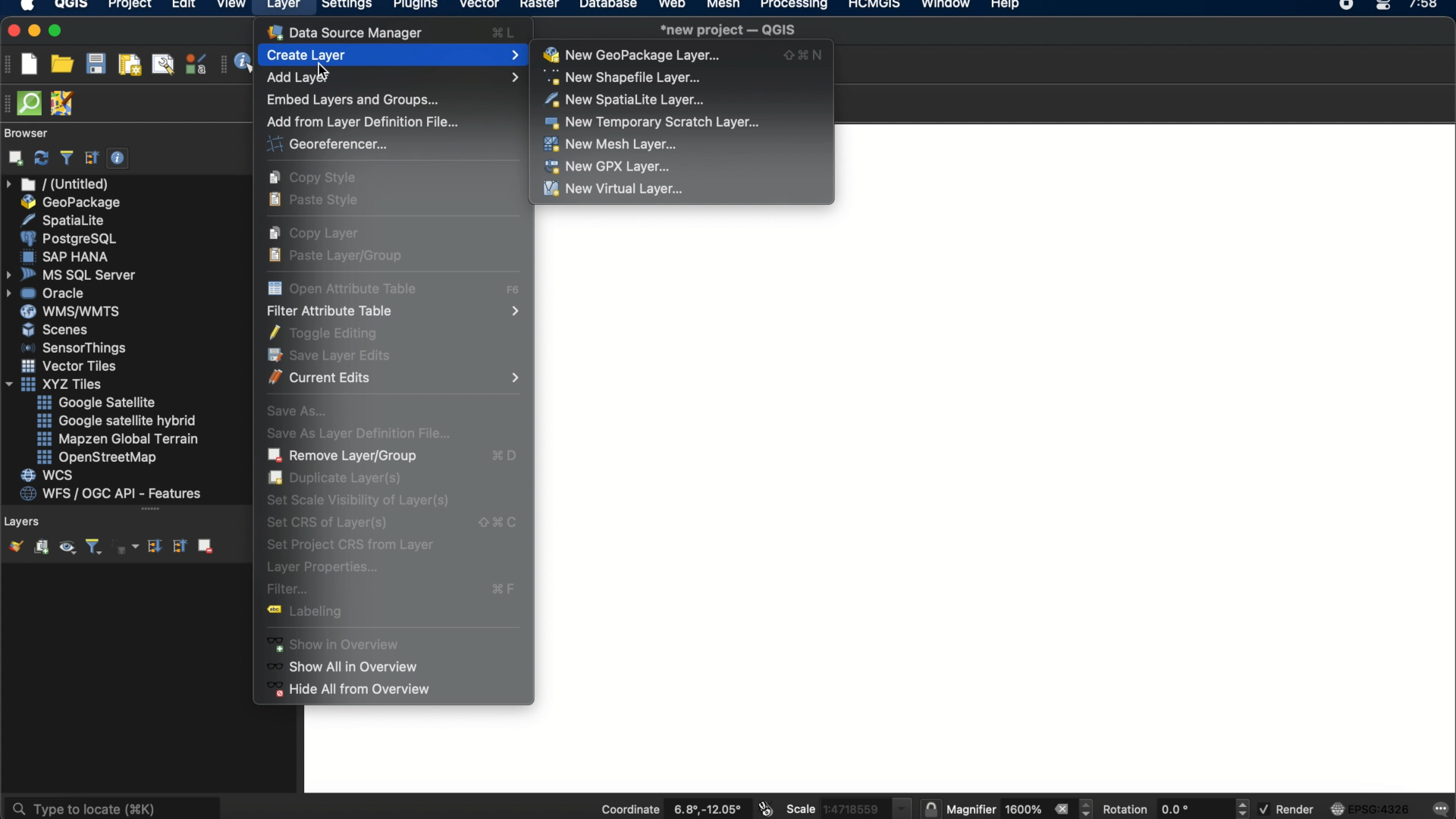 The width and height of the screenshot is (1456, 819). Describe the element at coordinates (394, 309) in the screenshot. I see `filter attribute table` at that location.